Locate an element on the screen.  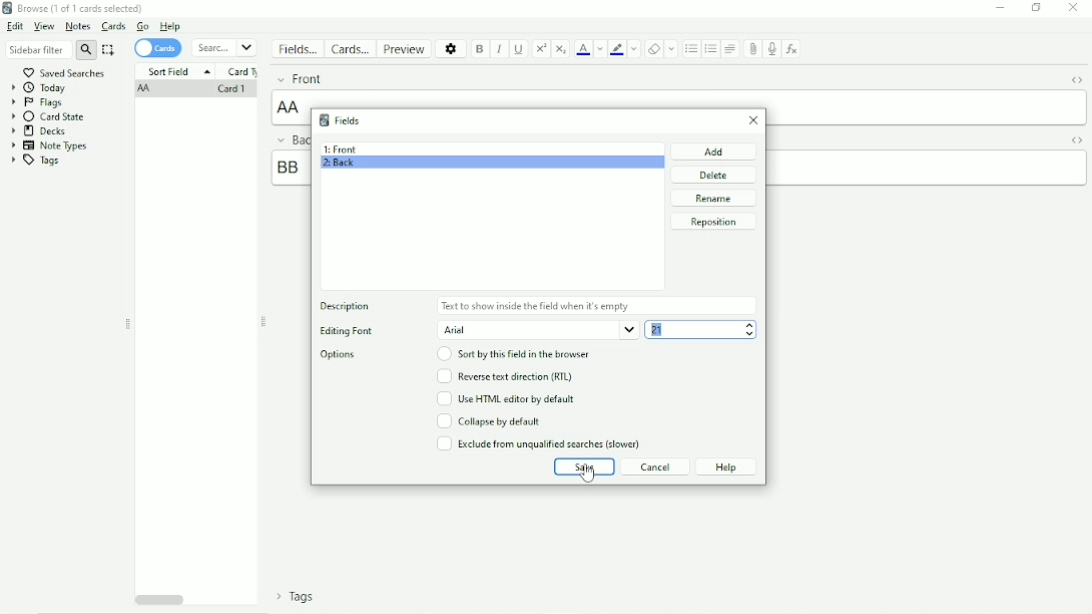
Sort Field is located at coordinates (178, 71).